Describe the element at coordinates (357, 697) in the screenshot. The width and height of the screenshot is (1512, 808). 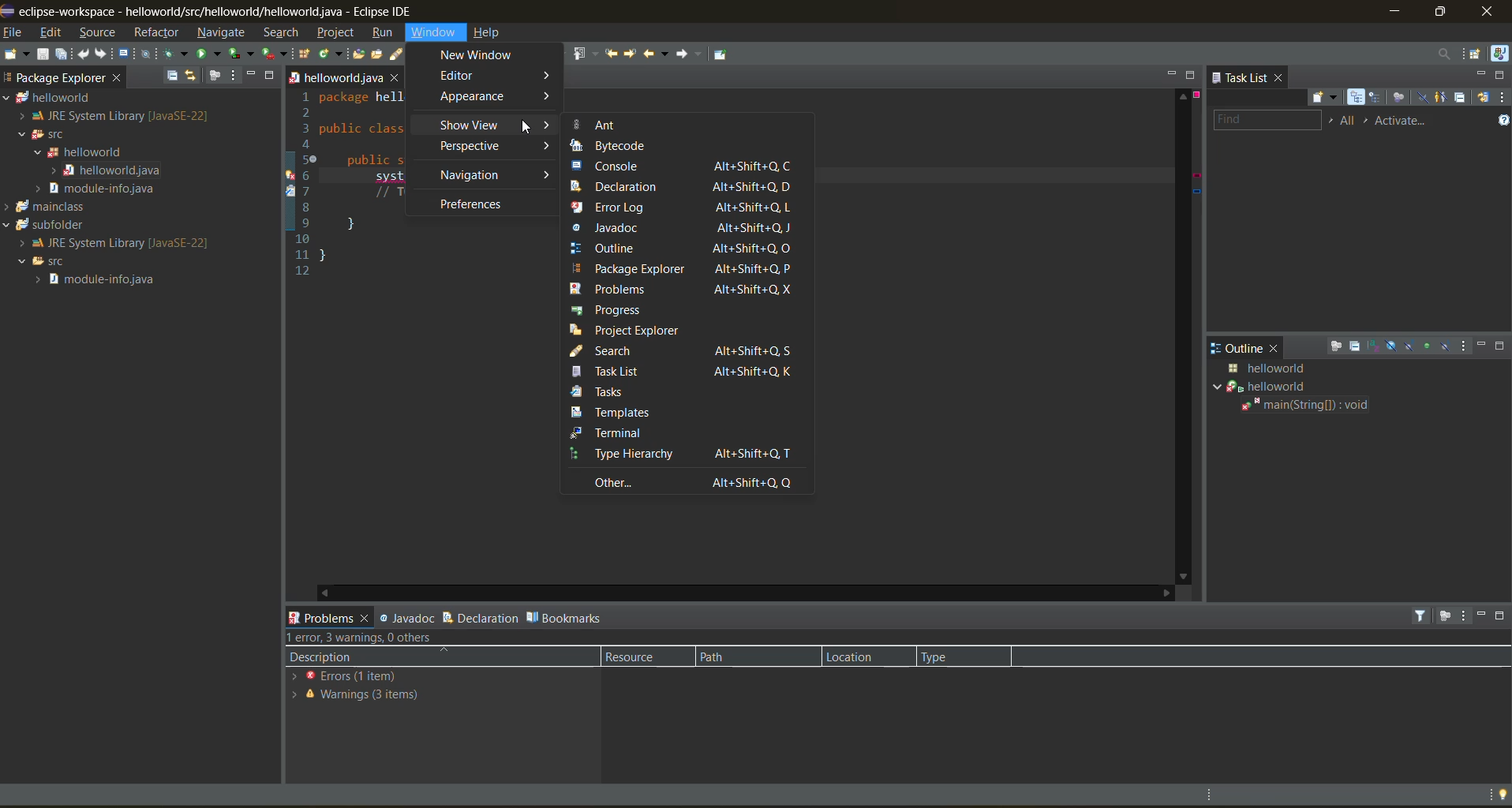
I see `warnings 3 items` at that location.